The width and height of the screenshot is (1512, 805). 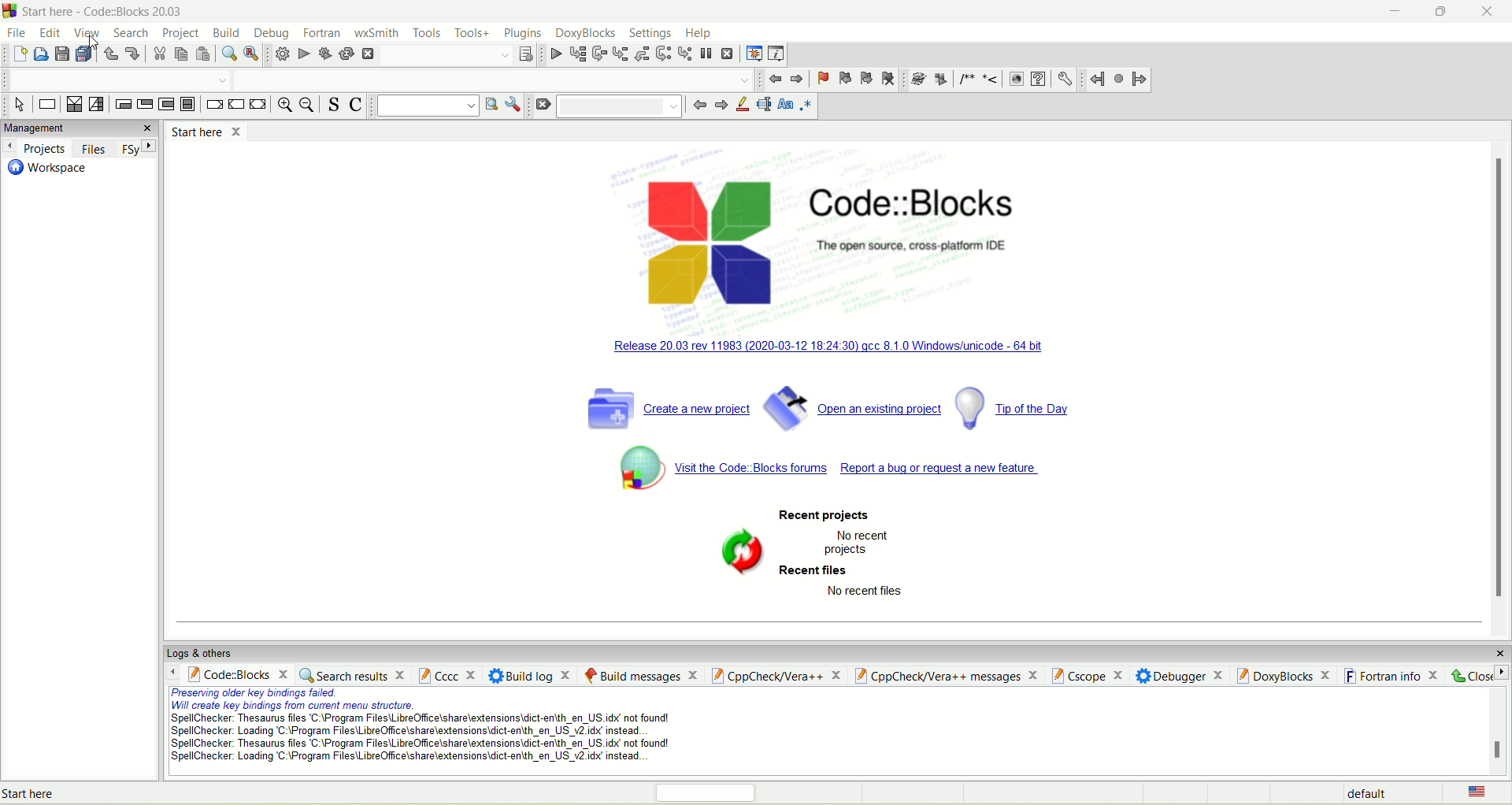 What do you see at coordinates (41, 792) in the screenshot?
I see `Start here` at bounding box center [41, 792].